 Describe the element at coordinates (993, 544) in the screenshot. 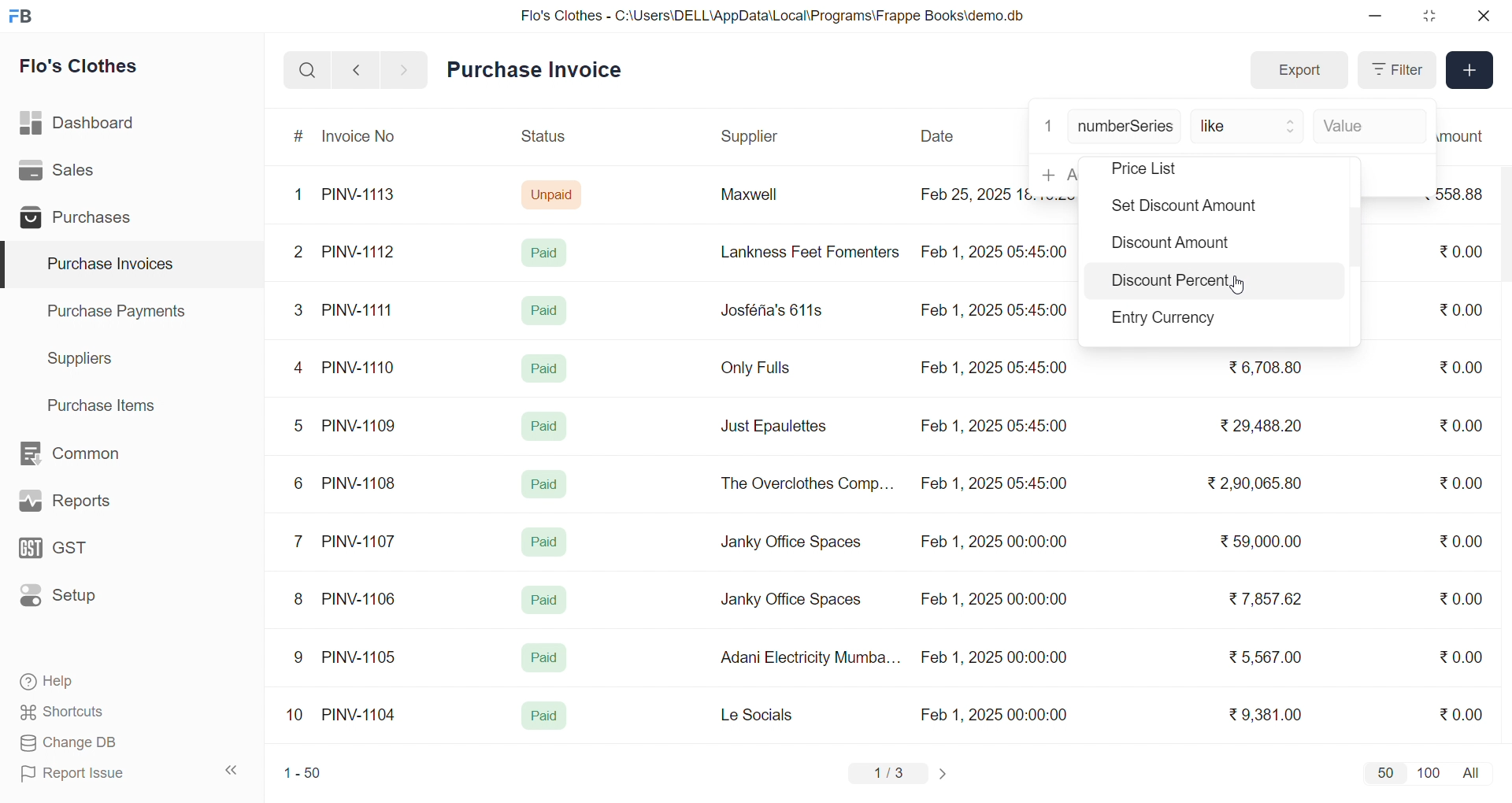

I see `Feb 1, 2025 00:00:00` at that location.